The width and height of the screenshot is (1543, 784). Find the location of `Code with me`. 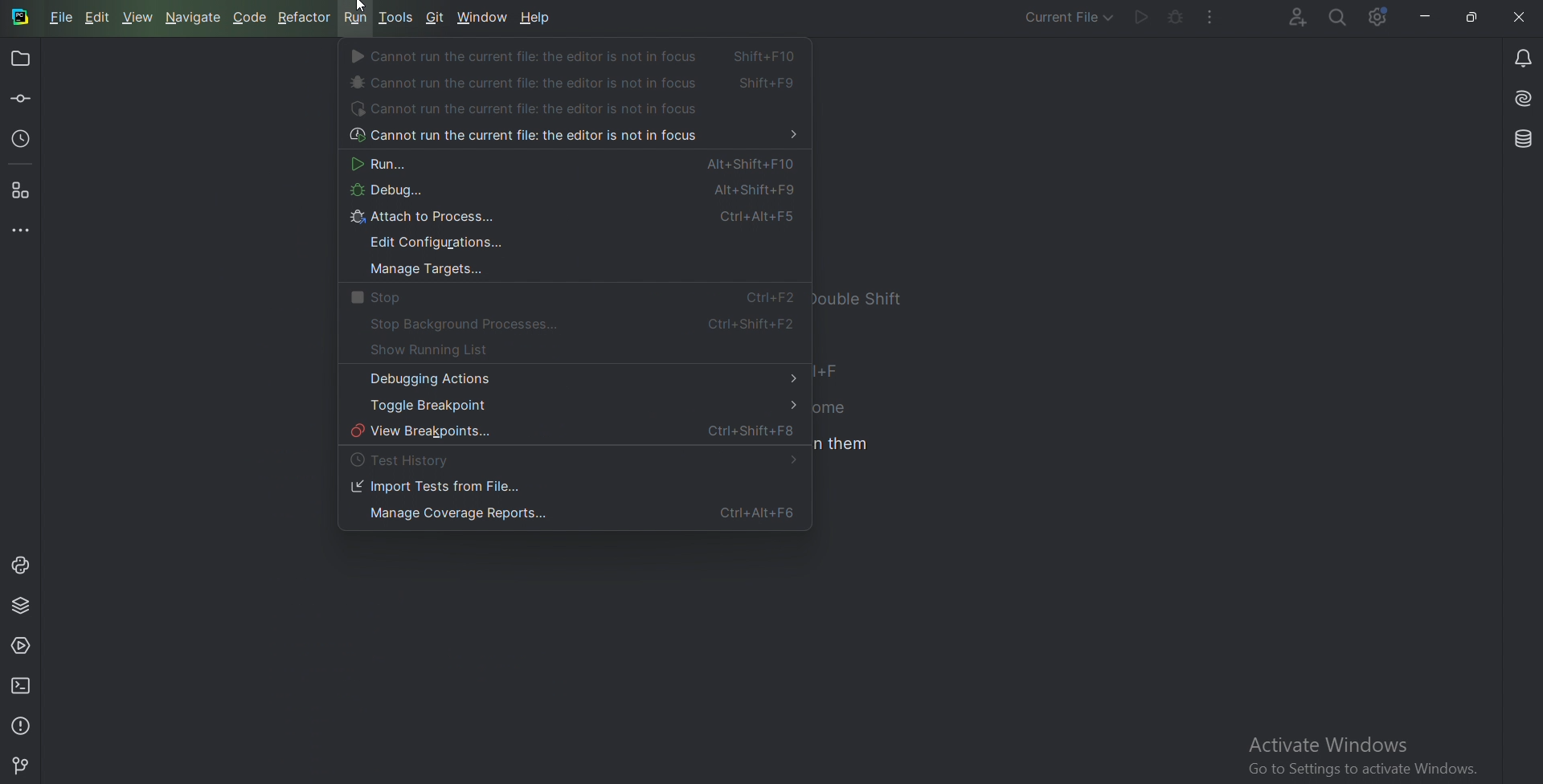

Code with me is located at coordinates (1296, 18).